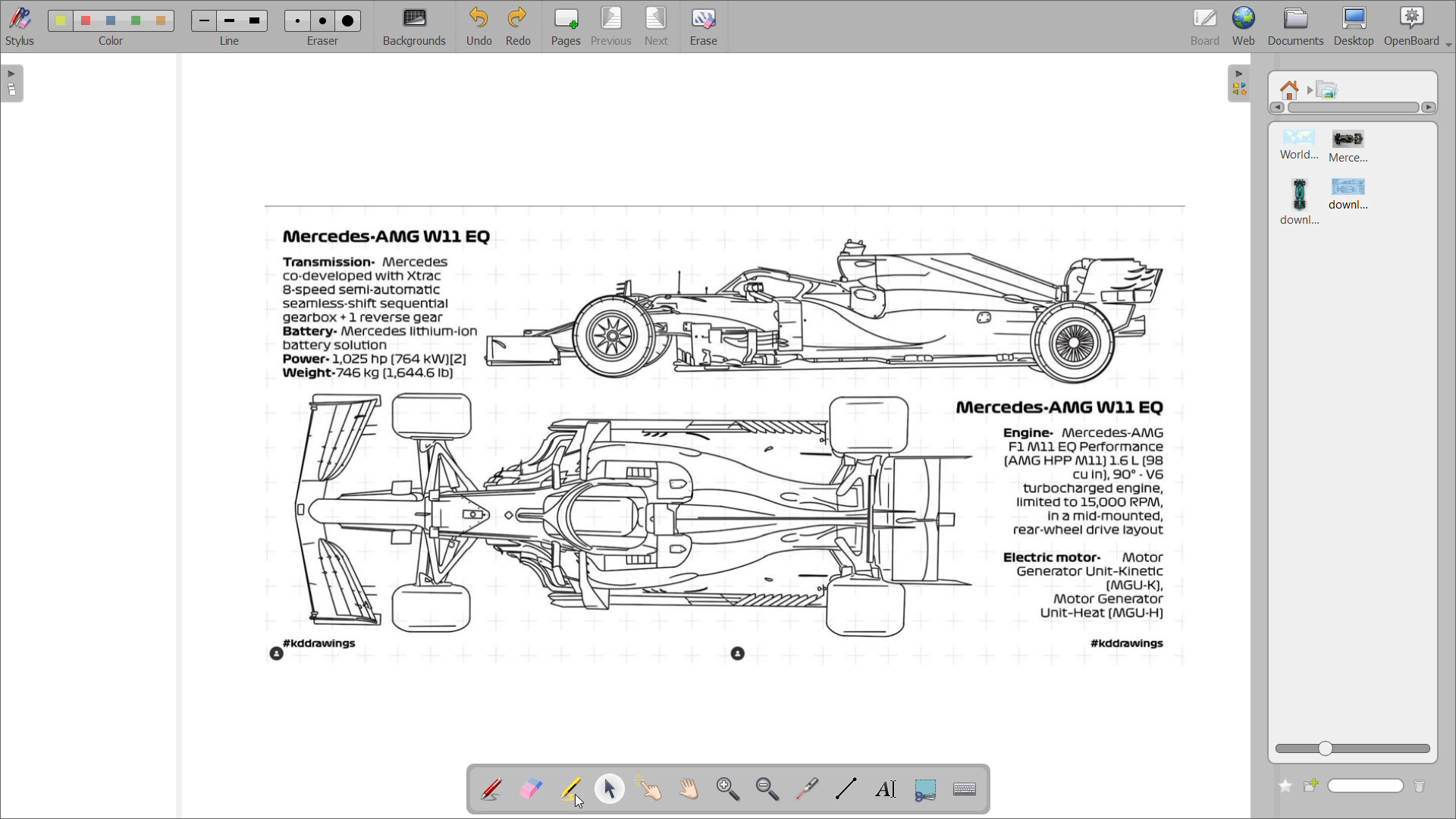 The image size is (1456, 819). I want to click on zoom out, so click(767, 789).